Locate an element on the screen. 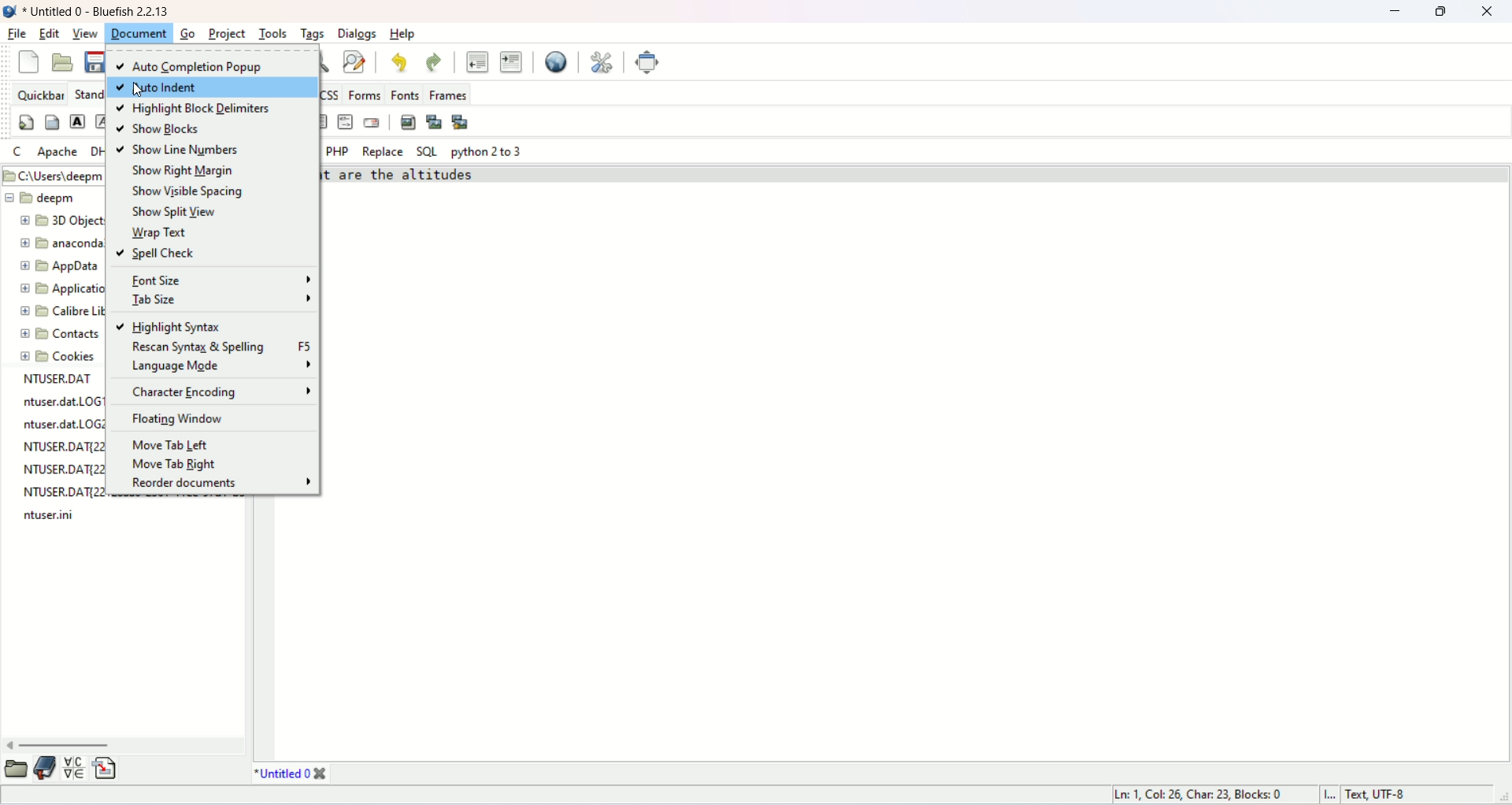 The height and width of the screenshot is (805, 1512). project is located at coordinates (224, 35).